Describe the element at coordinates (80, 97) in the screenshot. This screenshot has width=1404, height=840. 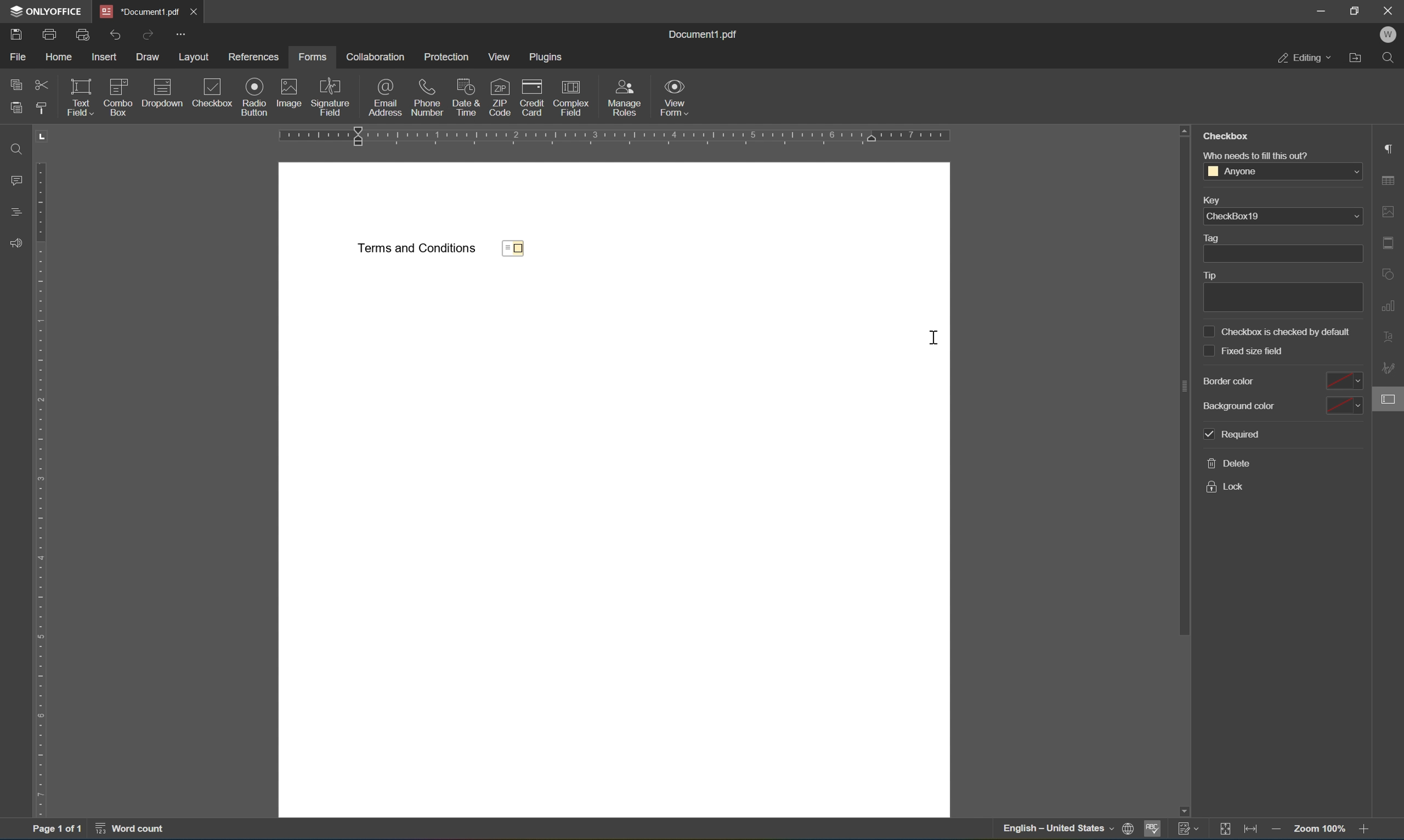
I see `text field` at that location.